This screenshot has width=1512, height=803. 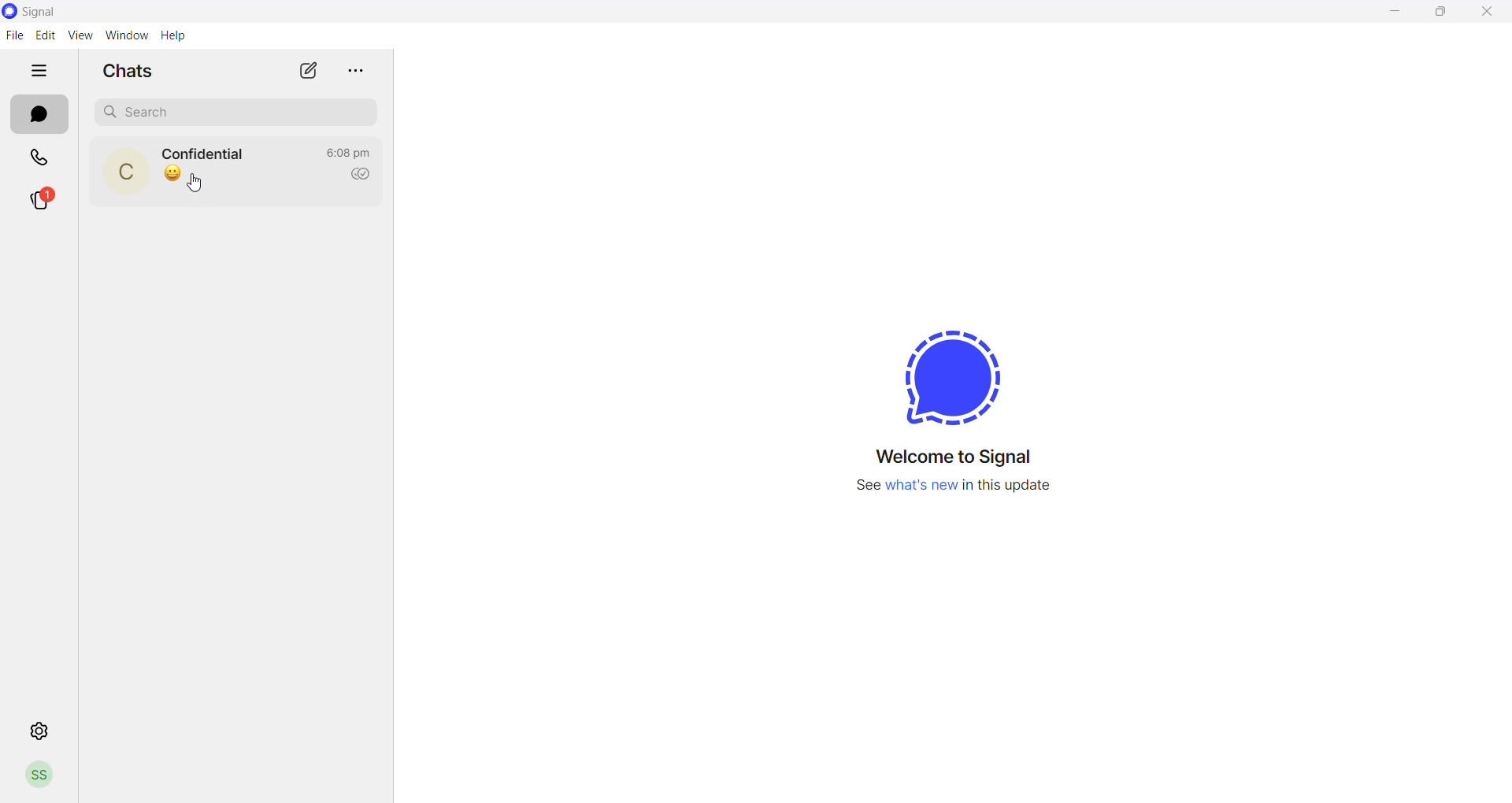 What do you see at coordinates (352, 147) in the screenshot?
I see `last message time` at bounding box center [352, 147].